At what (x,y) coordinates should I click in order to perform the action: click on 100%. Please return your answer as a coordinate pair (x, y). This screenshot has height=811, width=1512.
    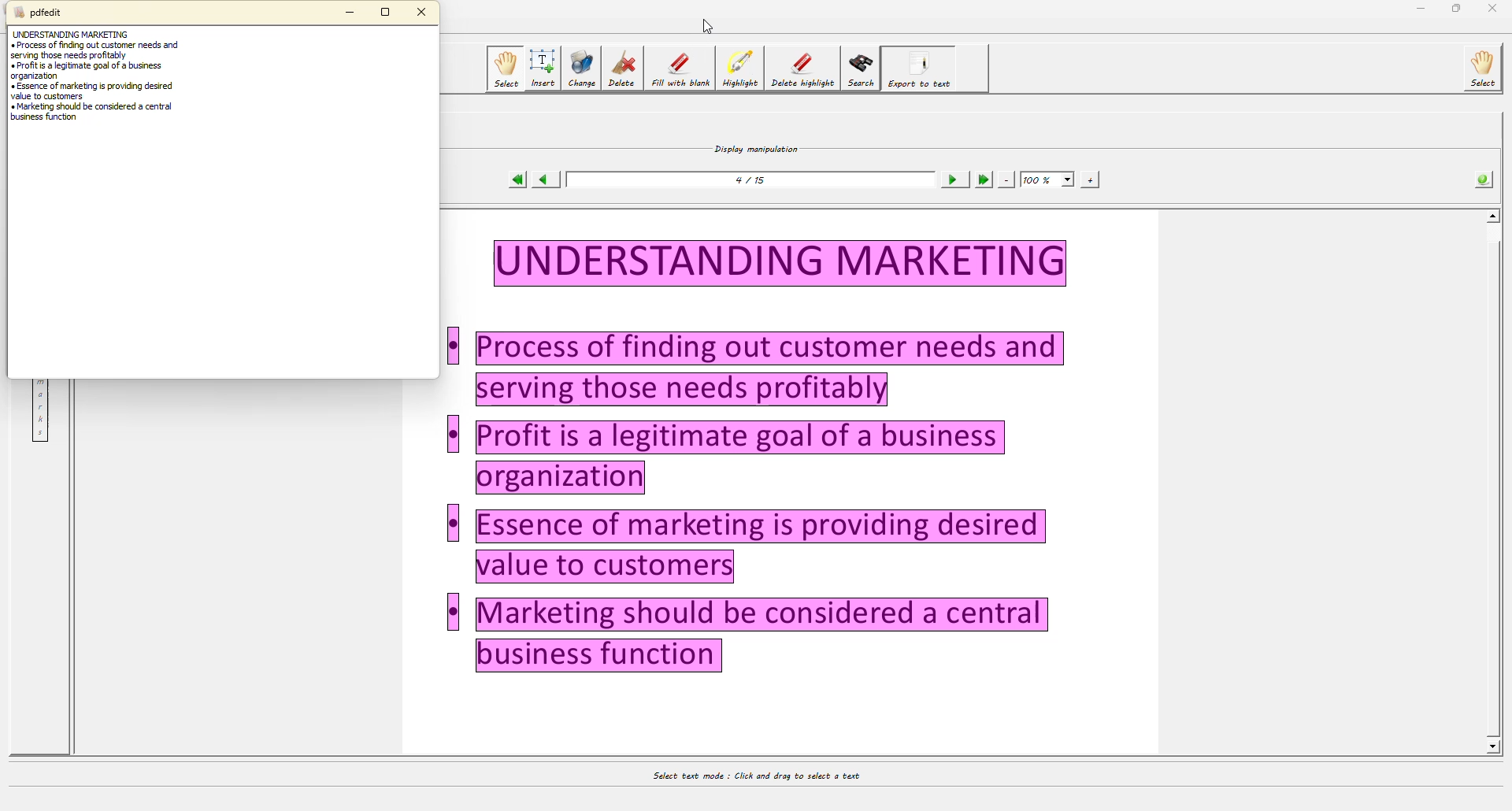
    Looking at the image, I should click on (1048, 179).